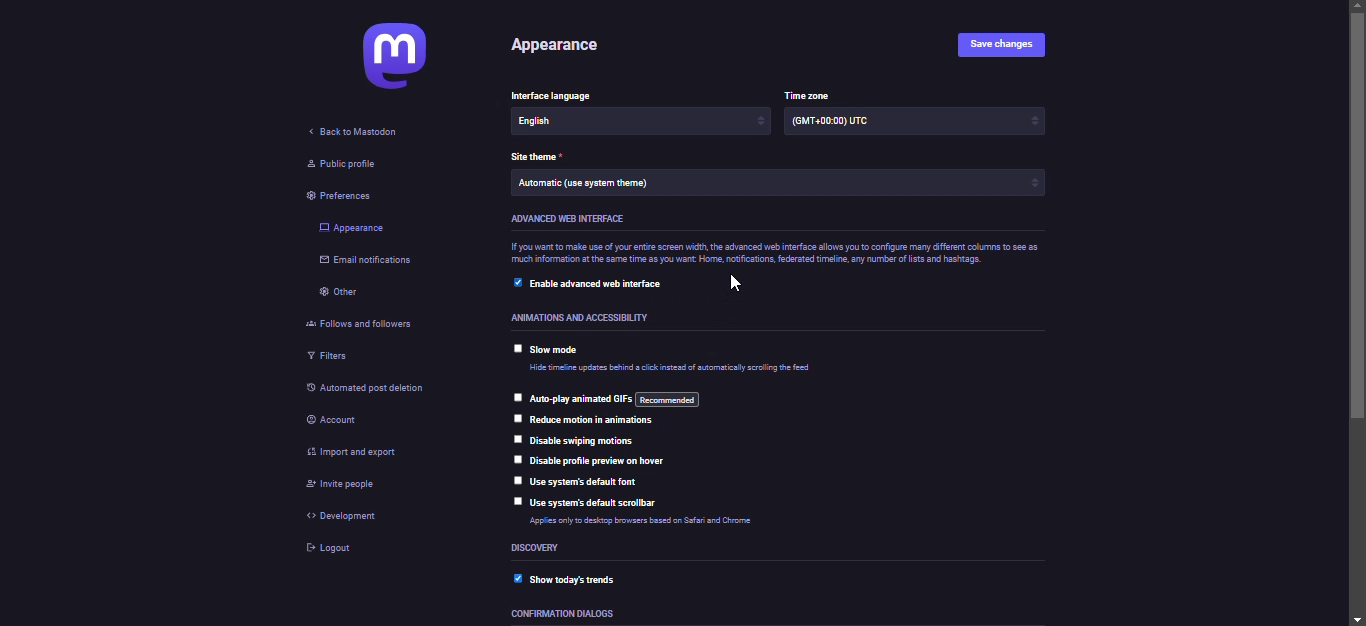 The width and height of the screenshot is (1366, 626). Describe the element at coordinates (1004, 44) in the screenshot. I see `save changes` at that location.